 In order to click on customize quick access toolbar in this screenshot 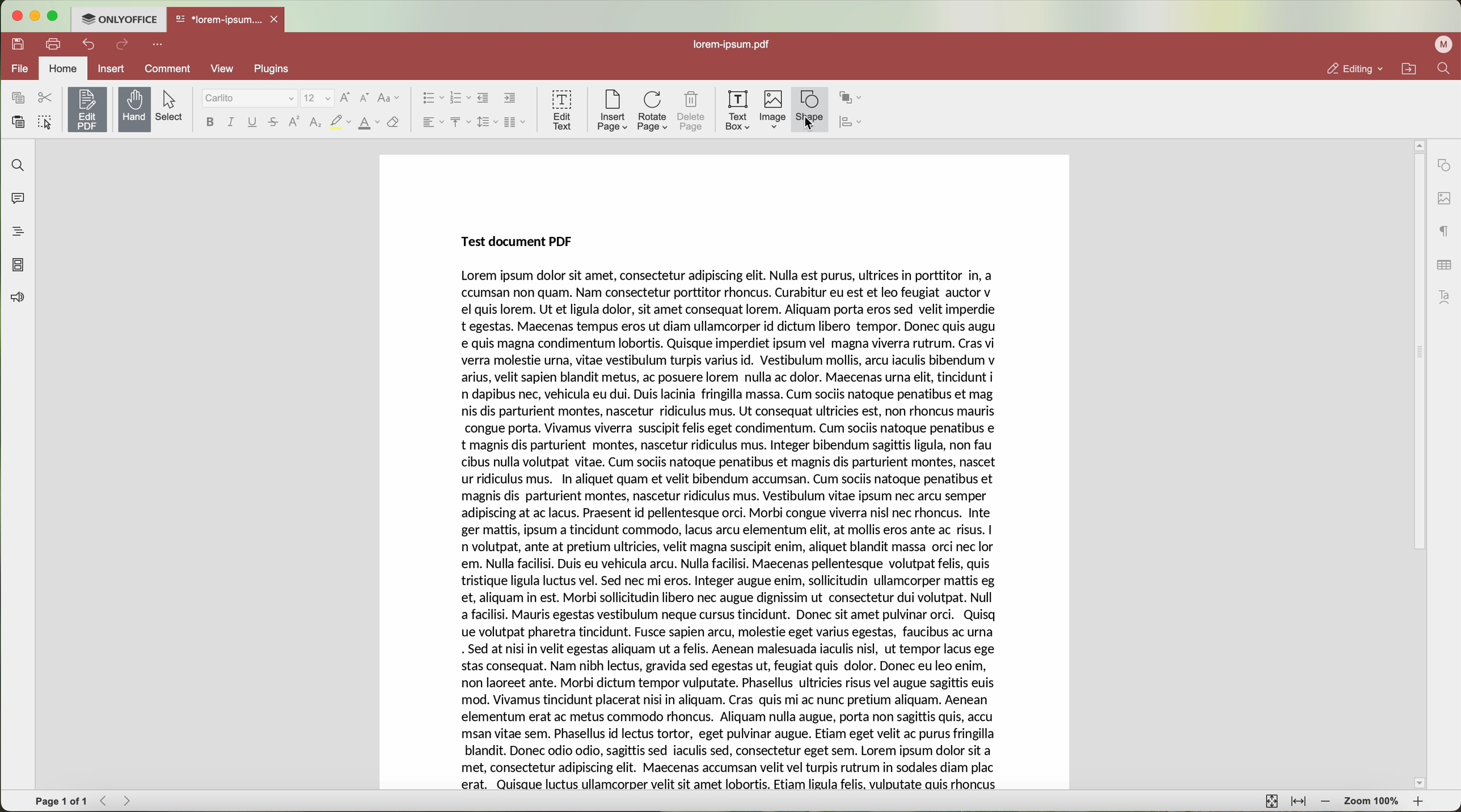, I will do `click(160, 45)`.